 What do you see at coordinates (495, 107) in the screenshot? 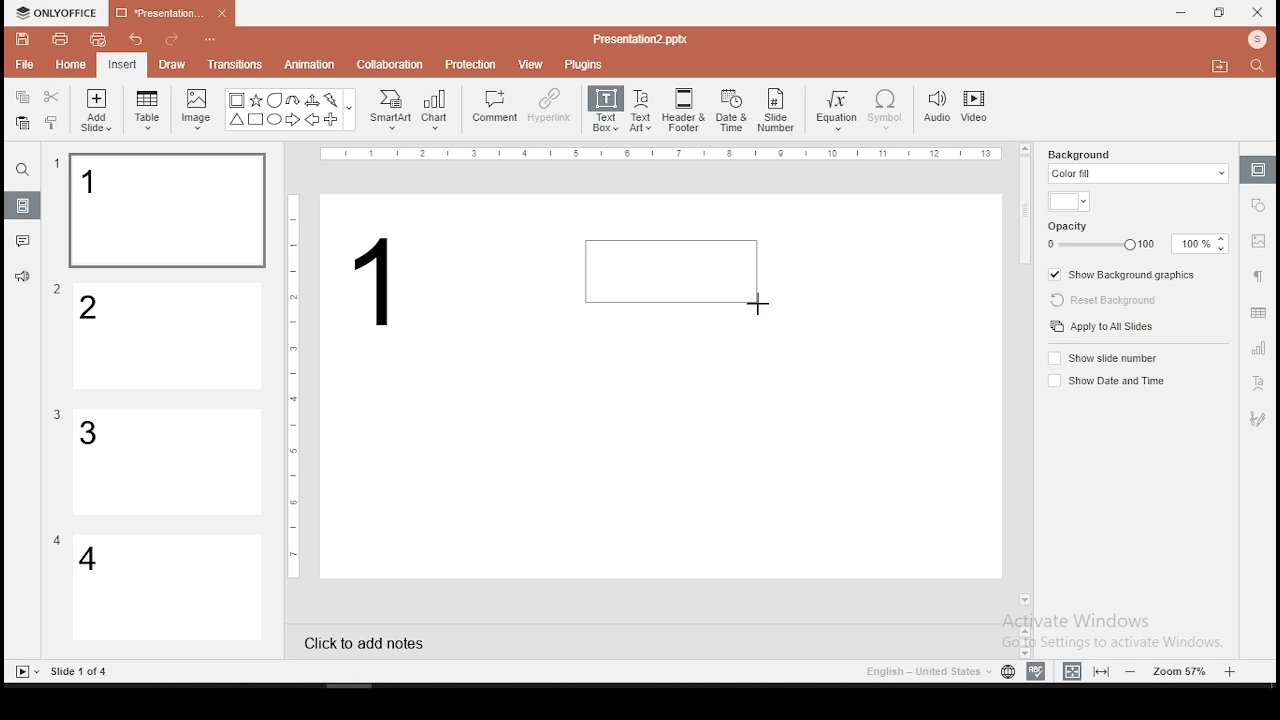
I see `comment` at bounding box center [495, 107].